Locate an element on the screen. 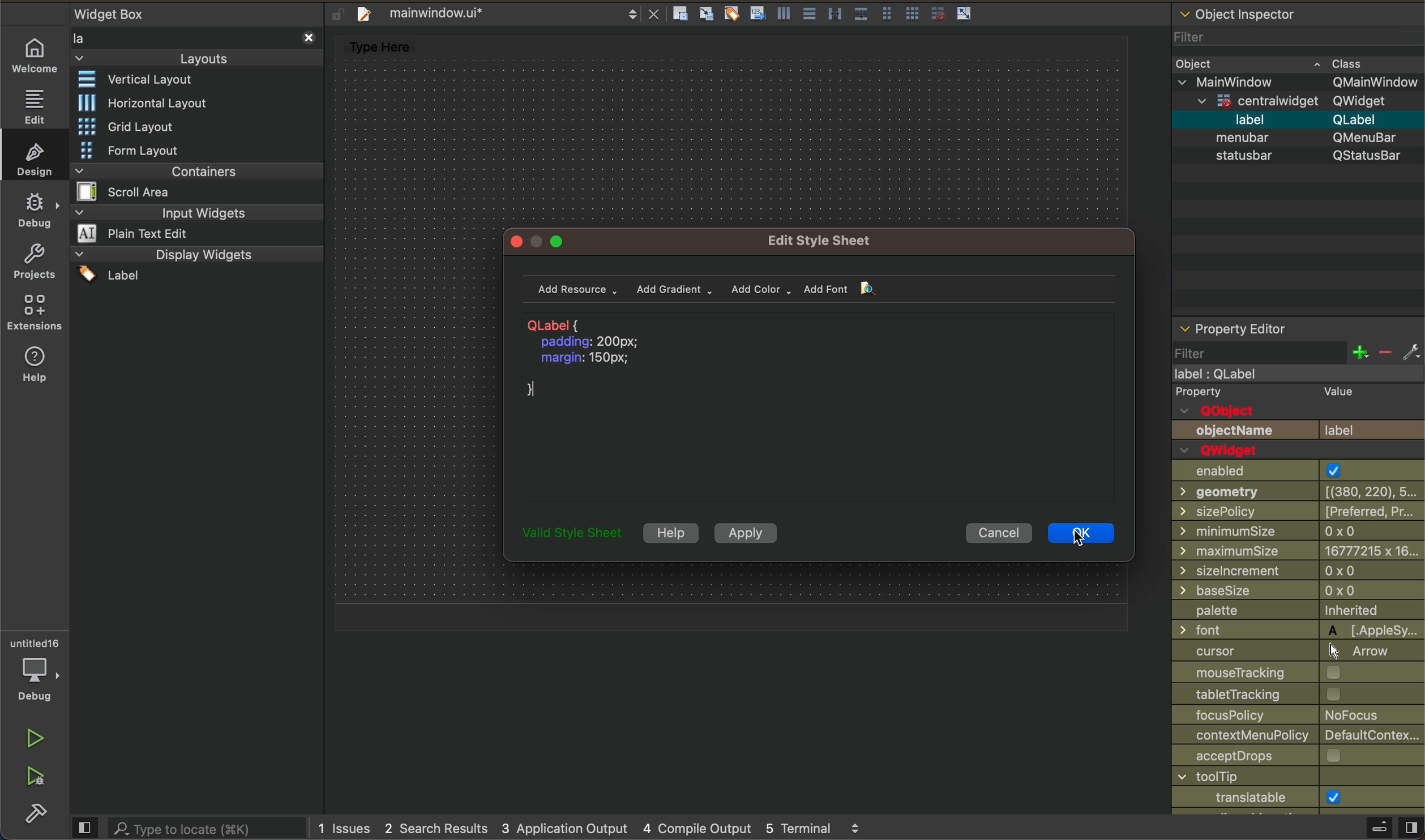 This screenshot has height=840, width=1425. cursor is located at coordinates (1284, 652).